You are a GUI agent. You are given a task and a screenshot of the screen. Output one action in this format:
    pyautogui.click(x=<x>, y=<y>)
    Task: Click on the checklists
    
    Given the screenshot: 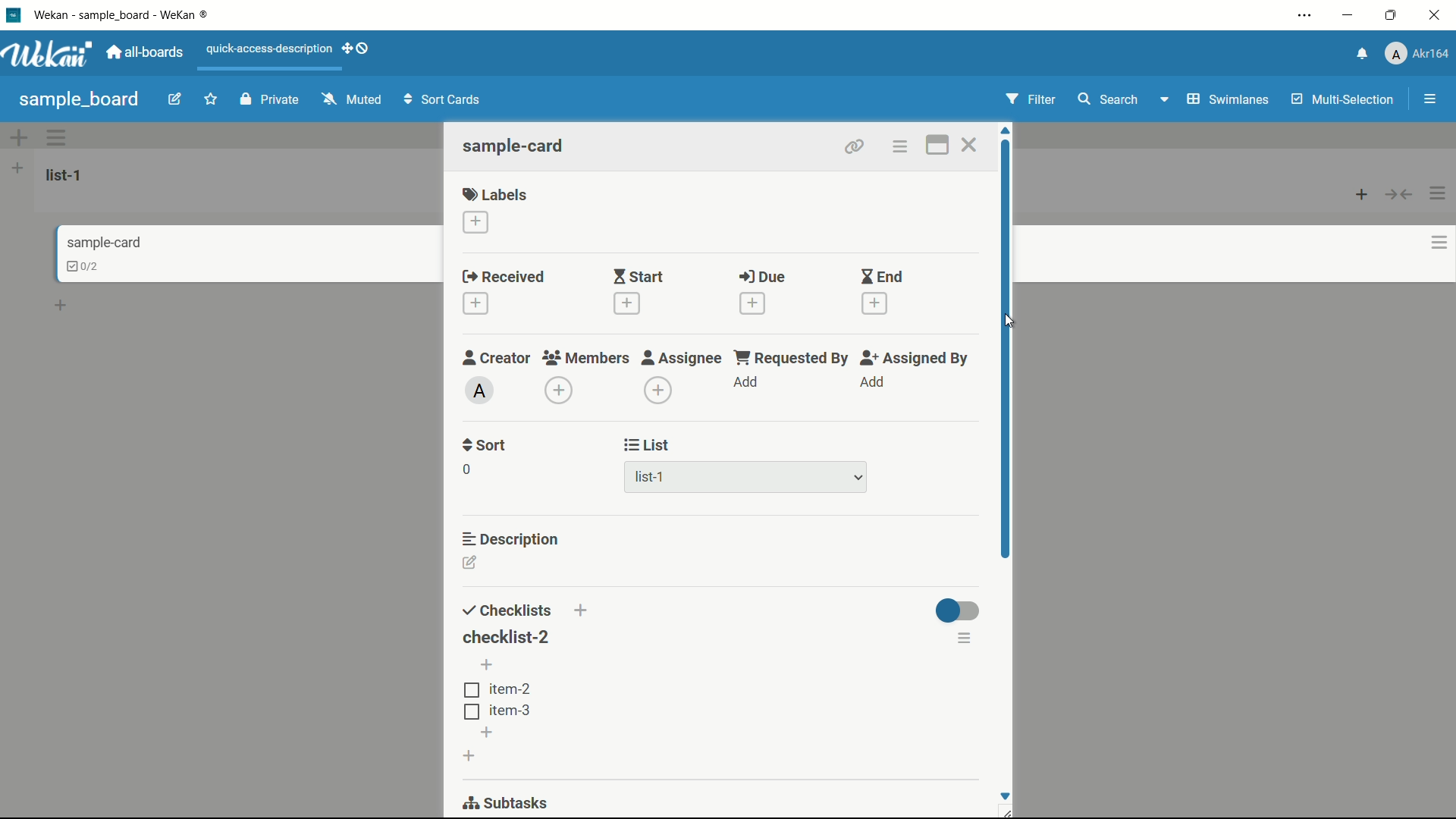 What is the action you would take?
    pyautogui.click(x=506, y=612)
    